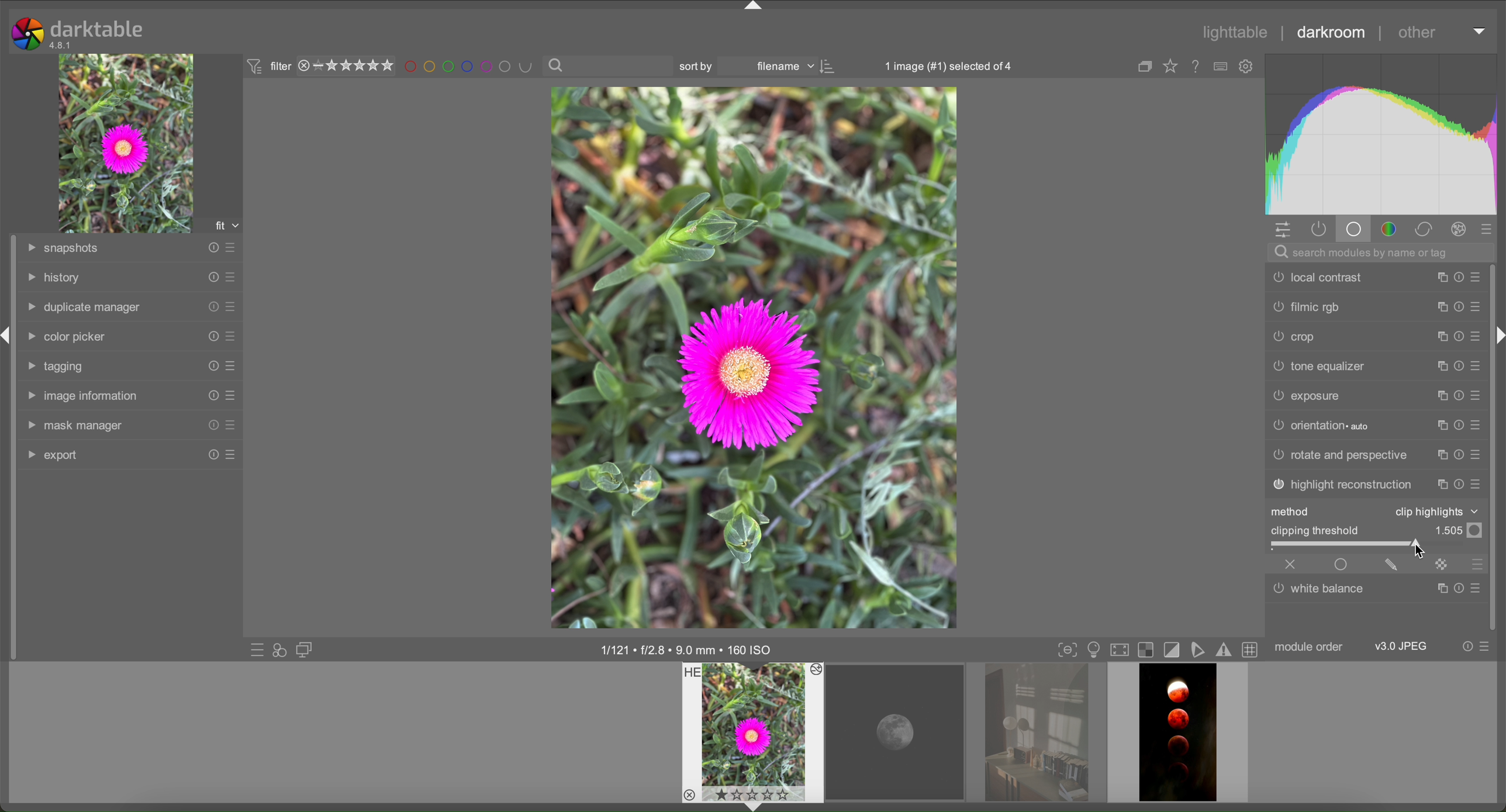  I want to click on highlight reconstruction, so click(1341, 485).